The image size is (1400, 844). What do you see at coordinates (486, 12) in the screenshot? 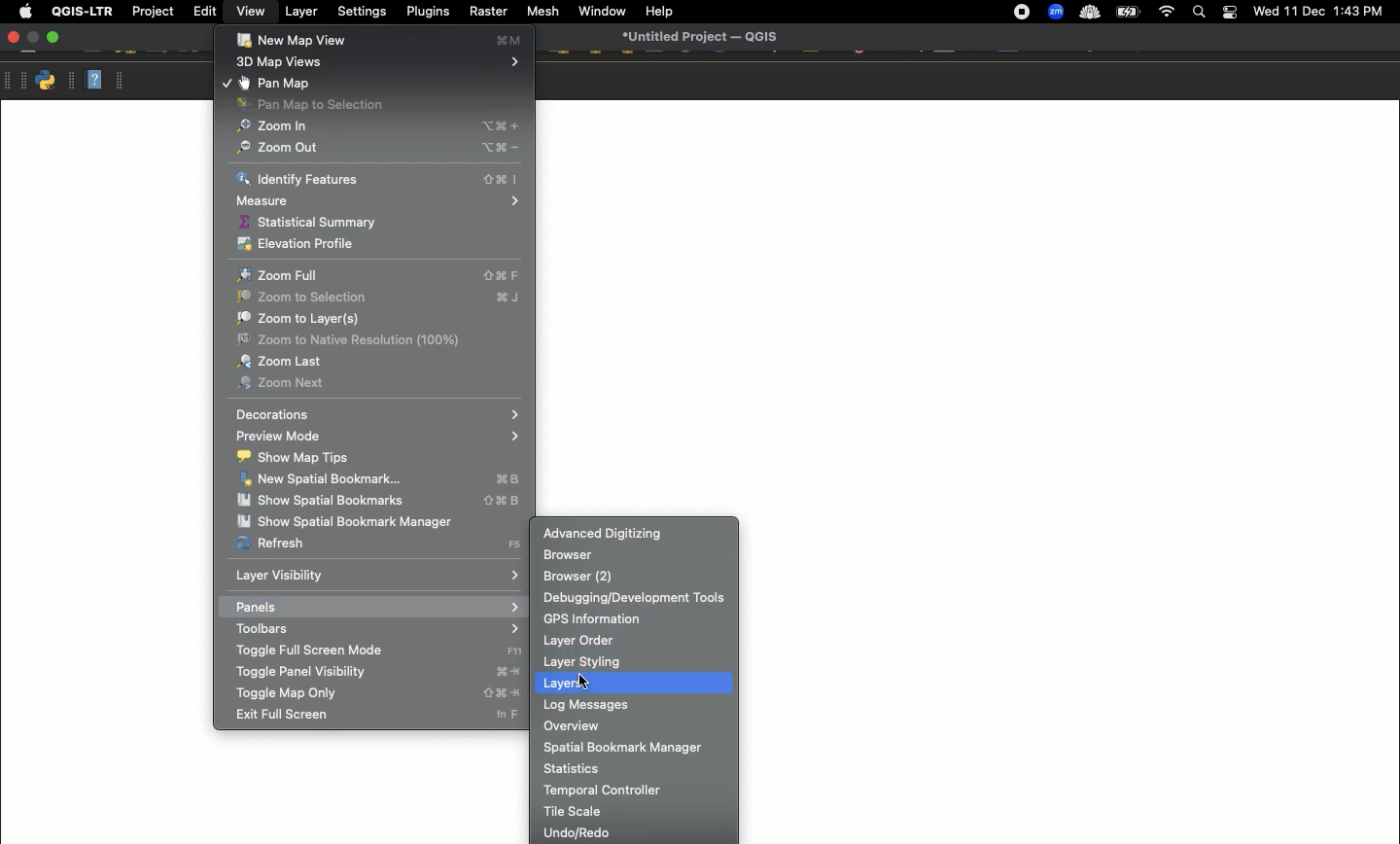
I see `Raster` at bounding box center [486, 12].